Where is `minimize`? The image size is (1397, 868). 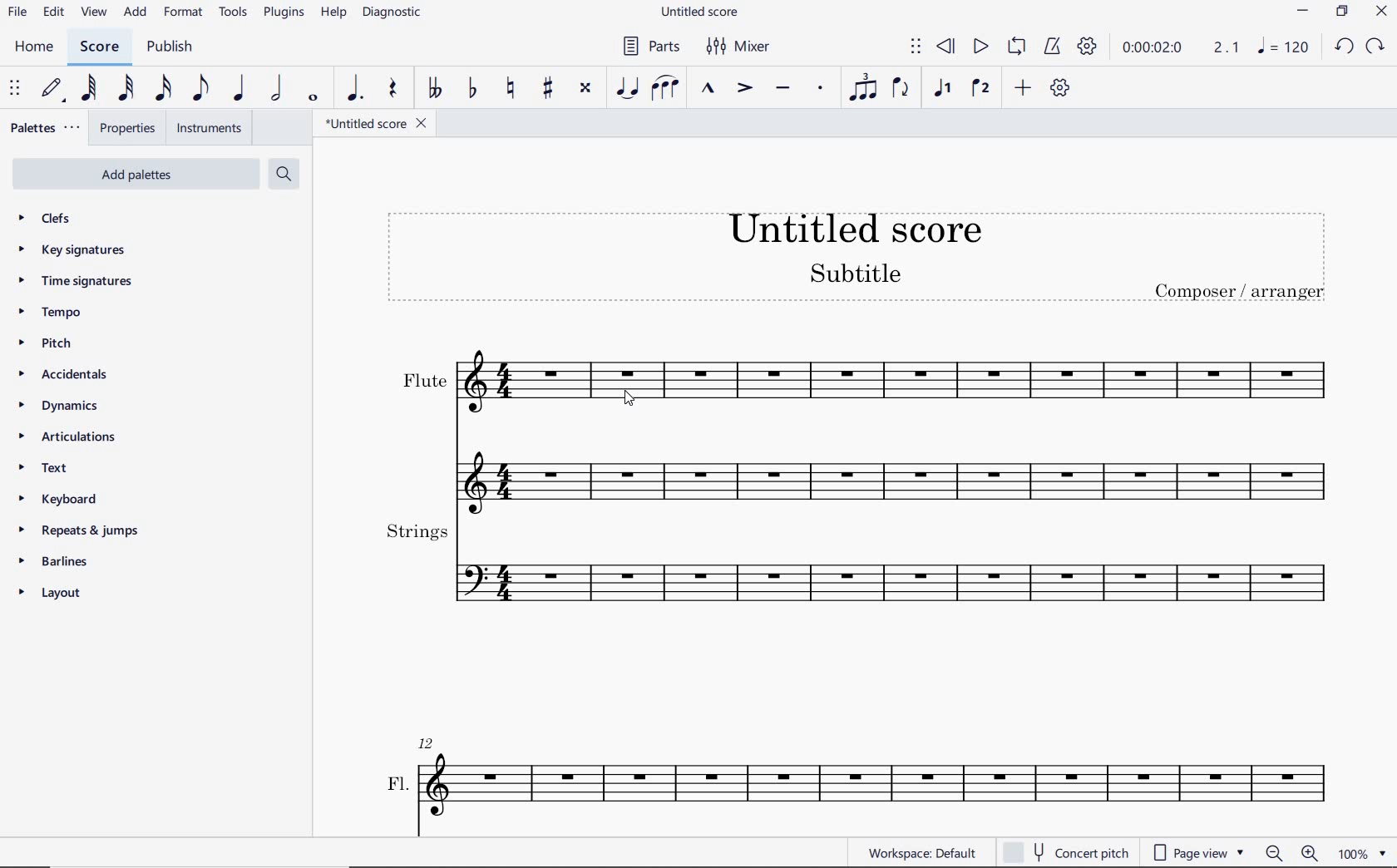 minimize is located at coordinates (1303, 13).